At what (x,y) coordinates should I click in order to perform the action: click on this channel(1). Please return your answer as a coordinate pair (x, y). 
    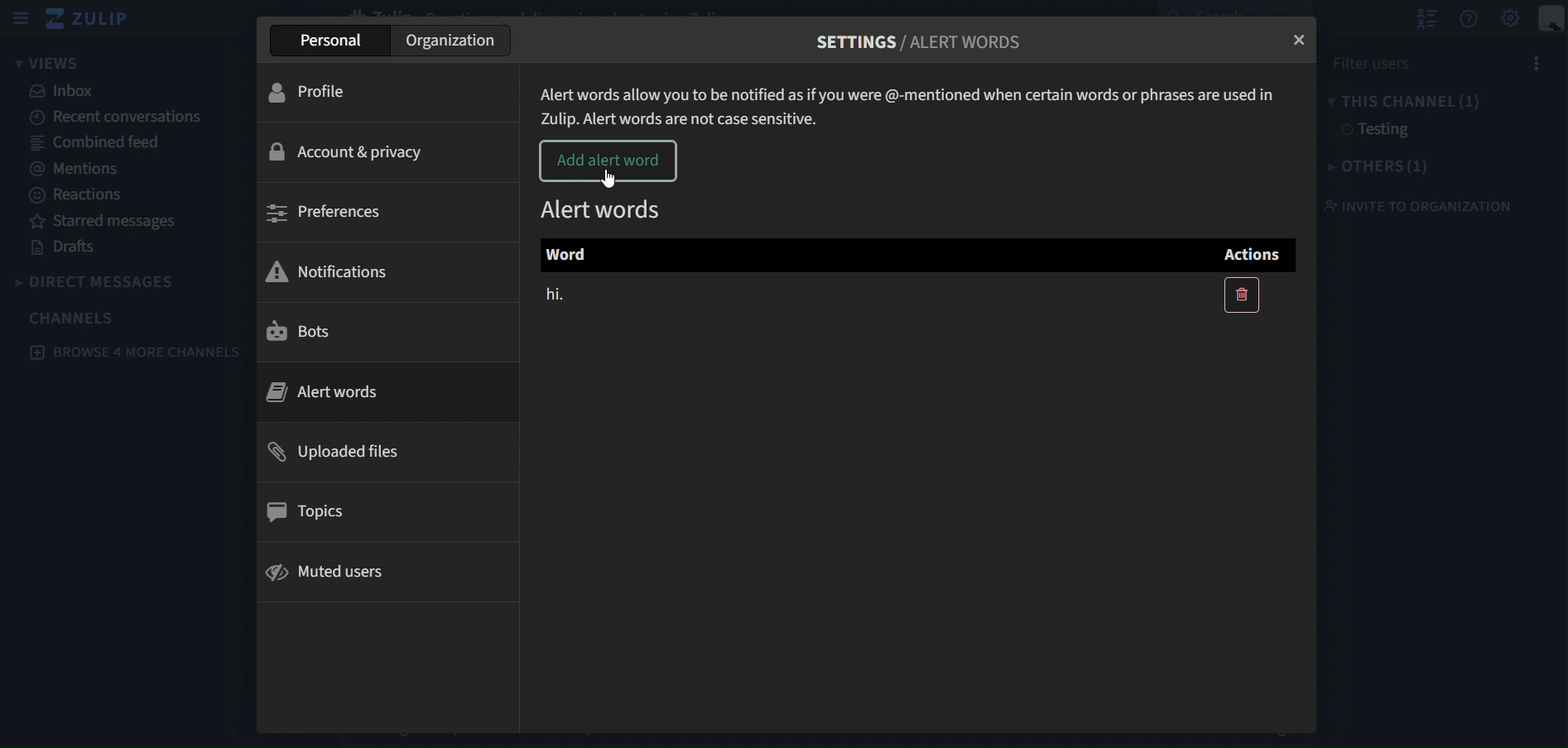
    Looking at the image, I should click on (1408, 102).